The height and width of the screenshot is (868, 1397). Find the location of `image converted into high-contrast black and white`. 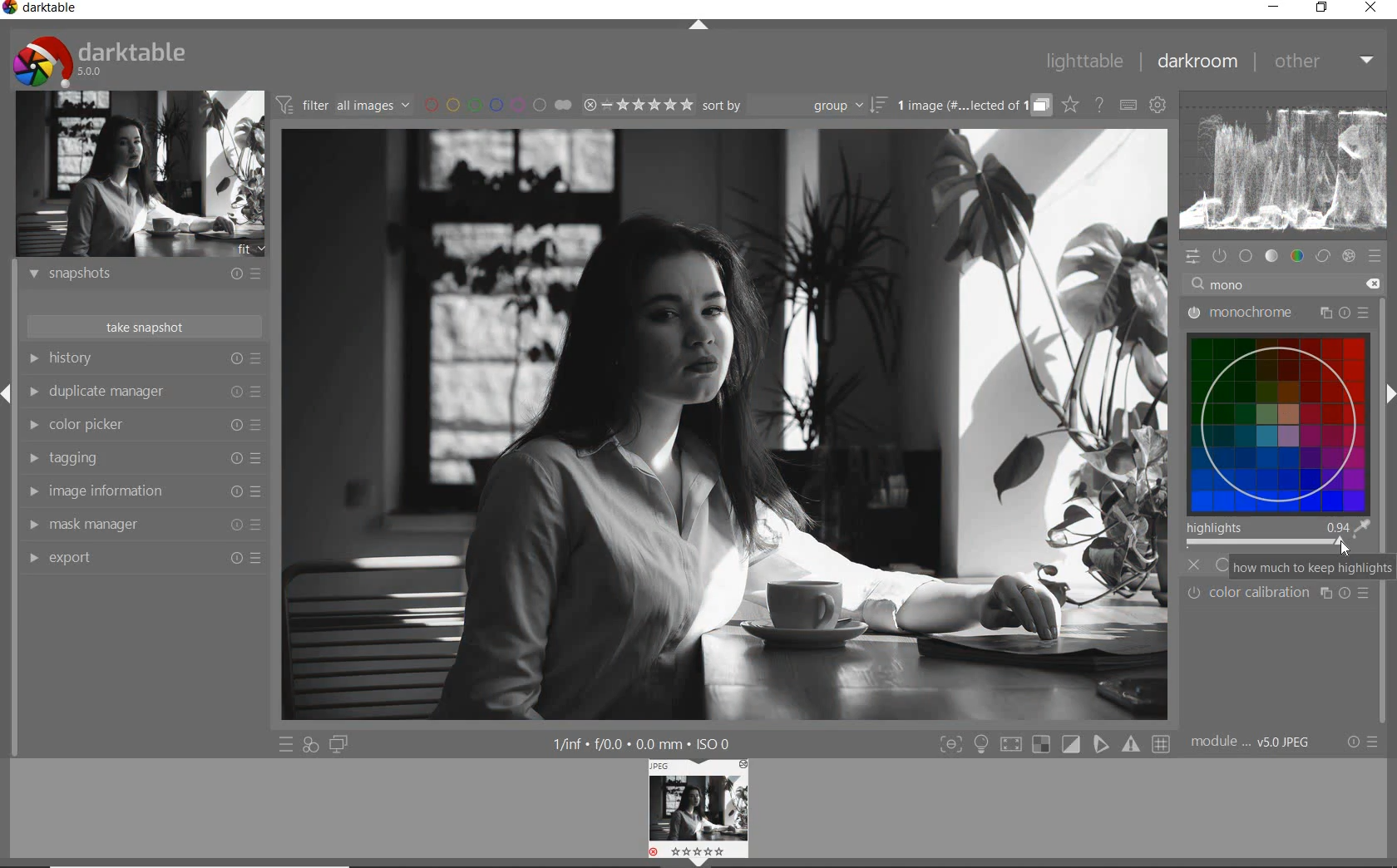

image converted into high-contrast black and white is located at coordinates (726, 425).